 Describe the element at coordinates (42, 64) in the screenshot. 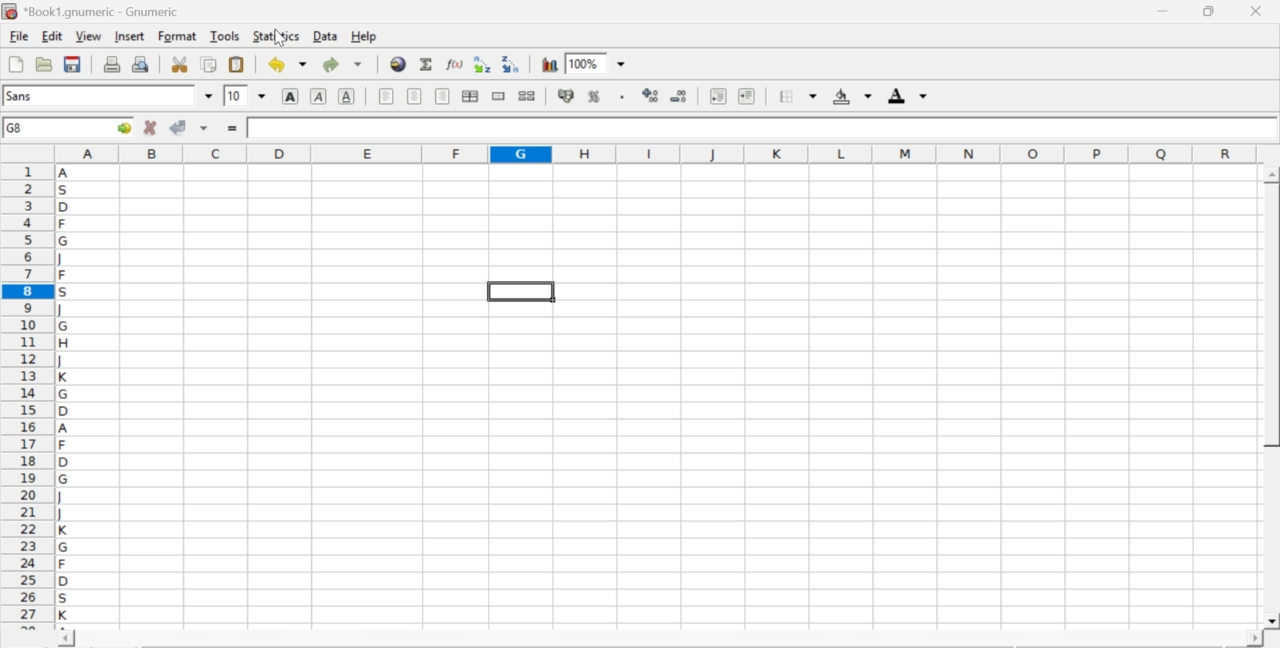

I see `open` at that location.